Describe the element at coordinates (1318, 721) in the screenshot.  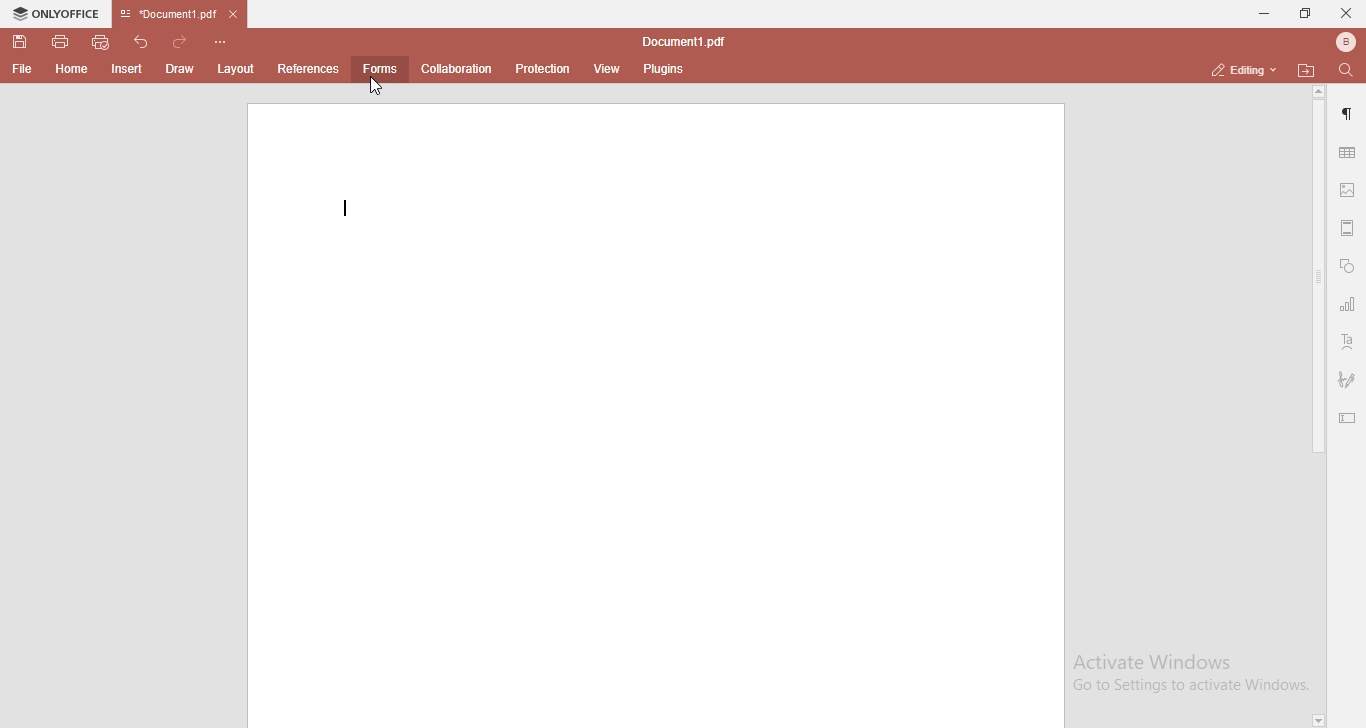
I see `page down` at that location.